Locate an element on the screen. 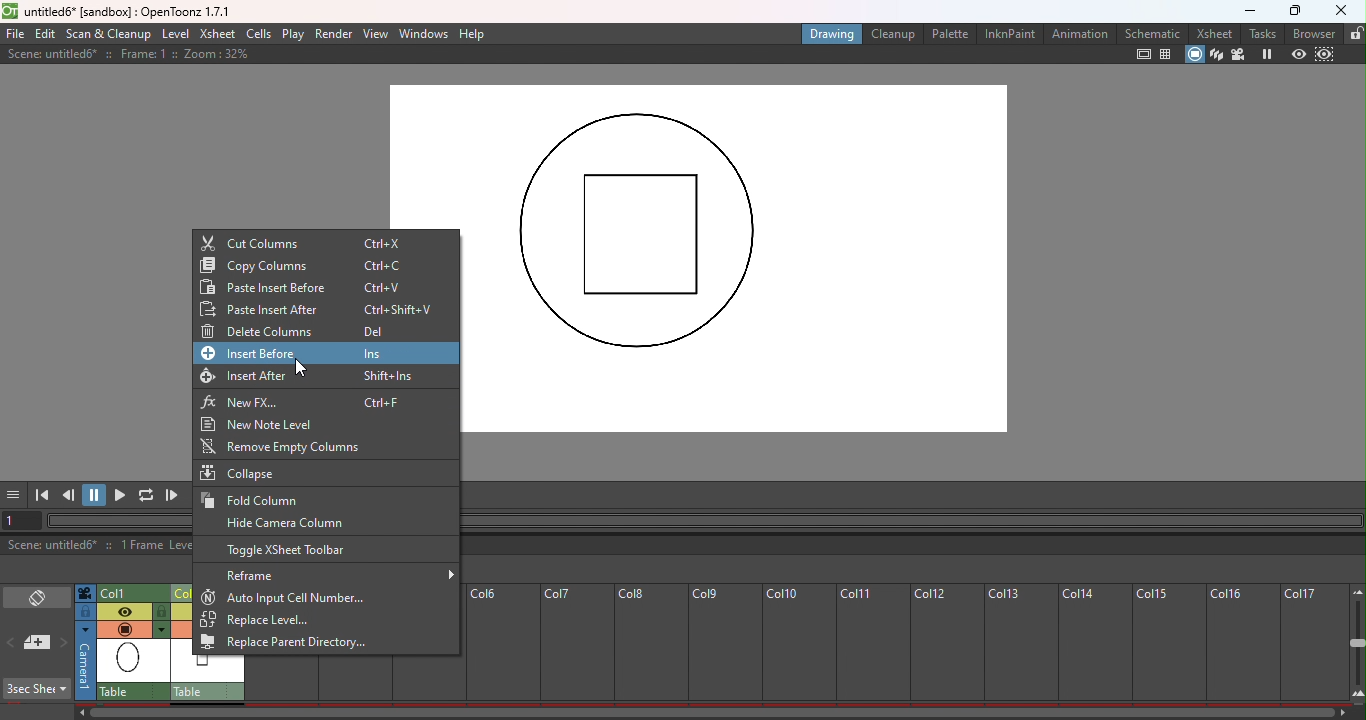  Sub-camera preview is located at coordinates (1327, 54).